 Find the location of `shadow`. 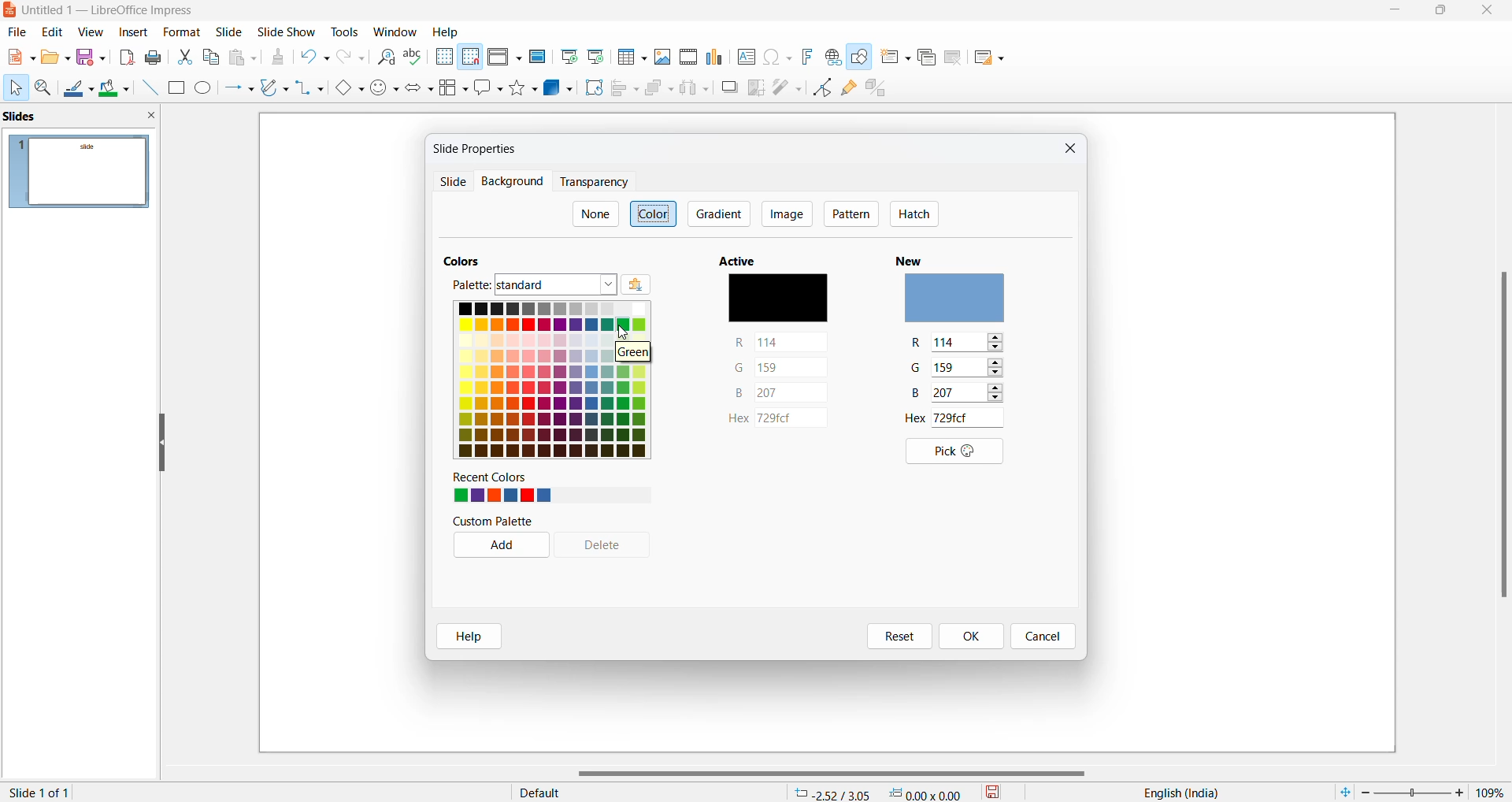

shadow is located at coordinates (729, 87).